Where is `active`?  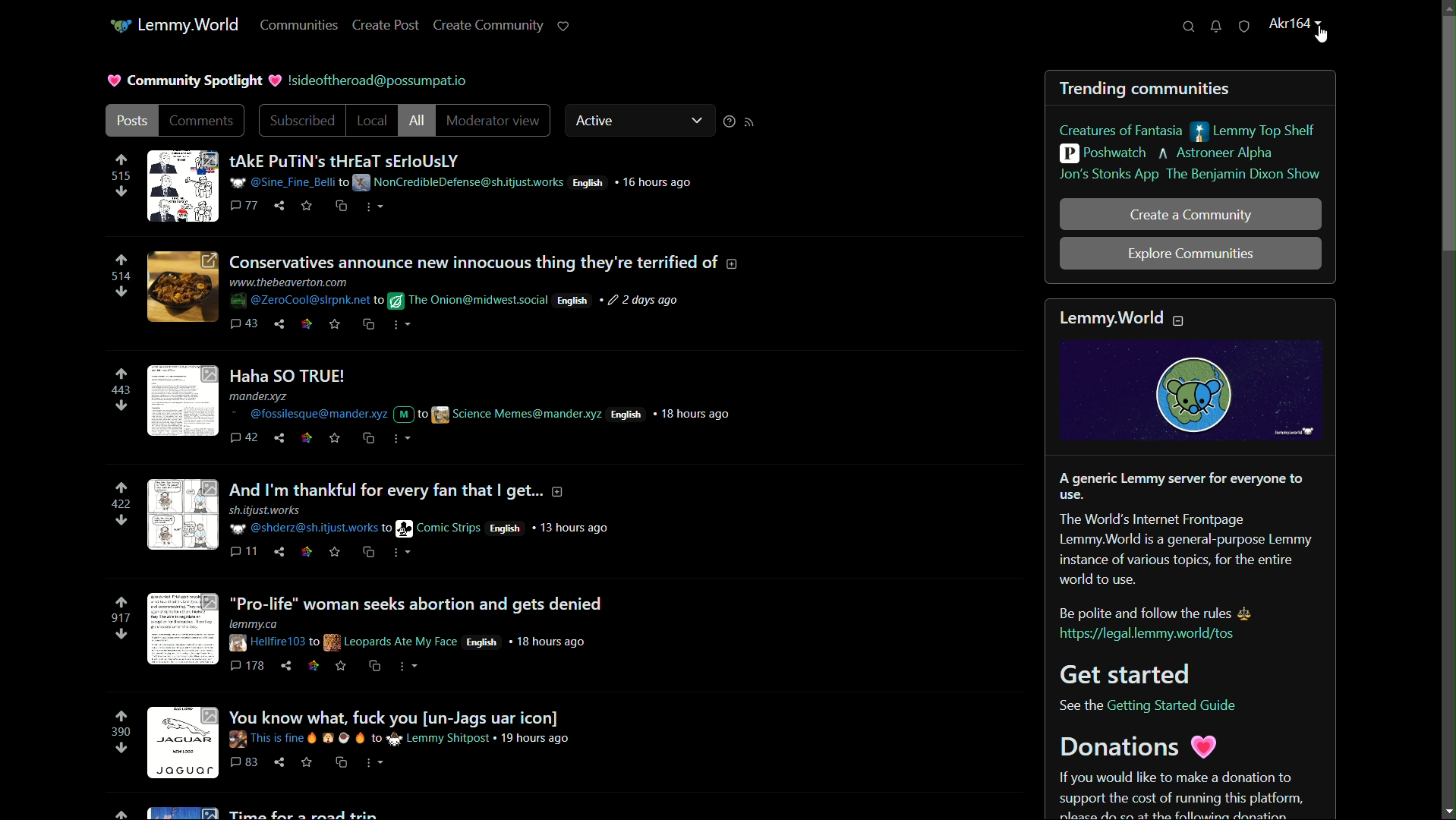
active is located at coordinates (600, 119).